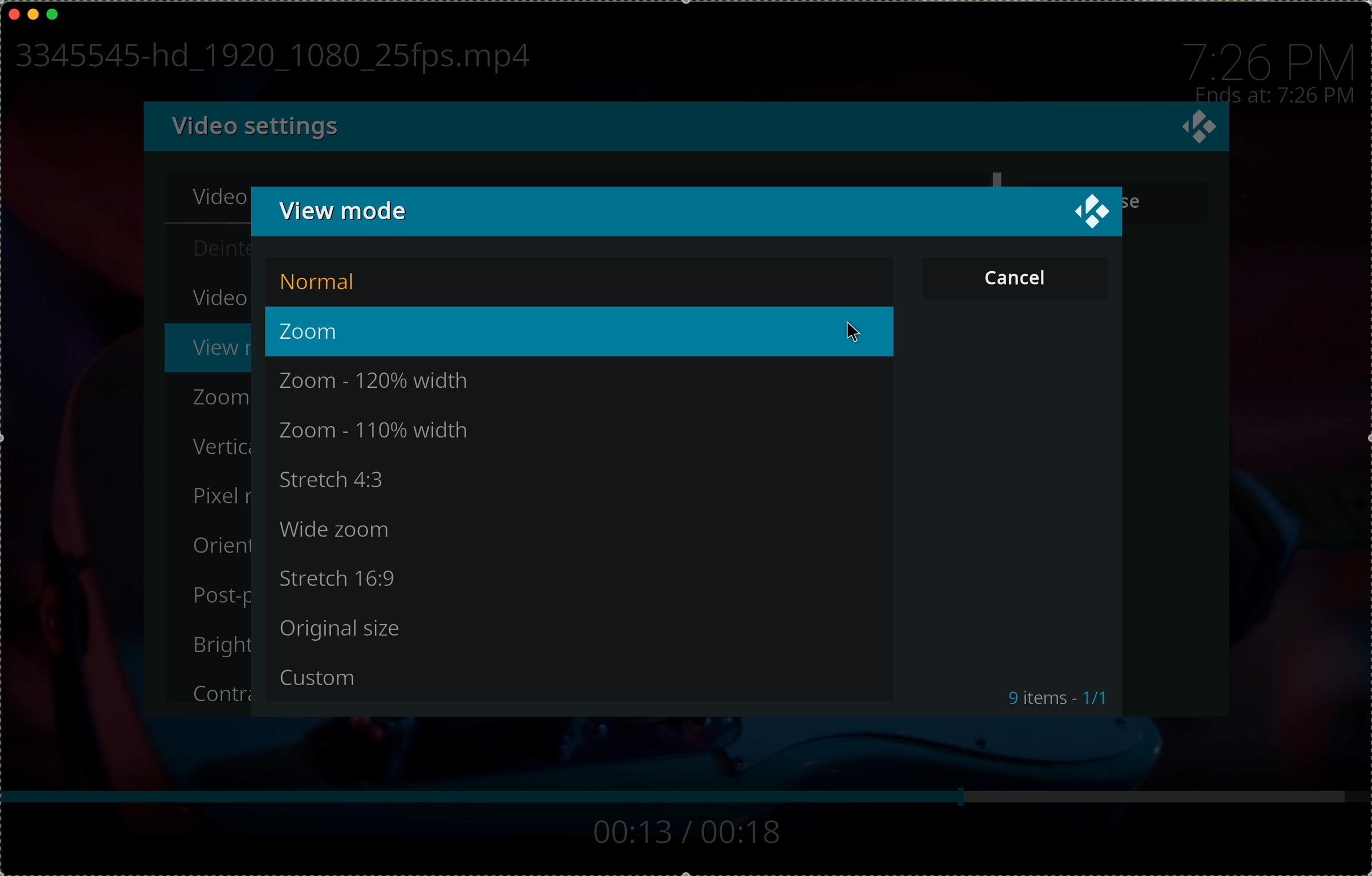 This screenshot has width=1372, height=876. What do you see at coordinates (1264, 60) in the screenshot?
I see `time` at bounding box center [1264, 60].